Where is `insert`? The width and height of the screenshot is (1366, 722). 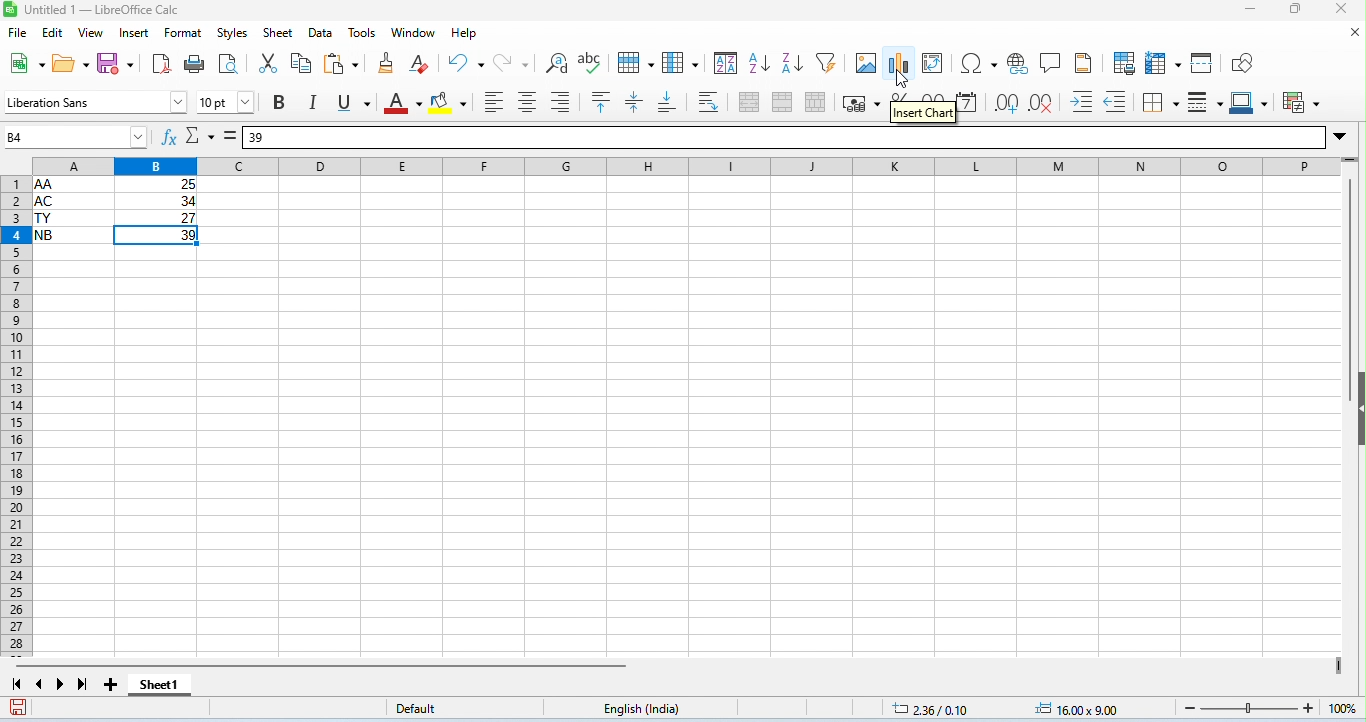
insert is located at coordinates (135, 34).